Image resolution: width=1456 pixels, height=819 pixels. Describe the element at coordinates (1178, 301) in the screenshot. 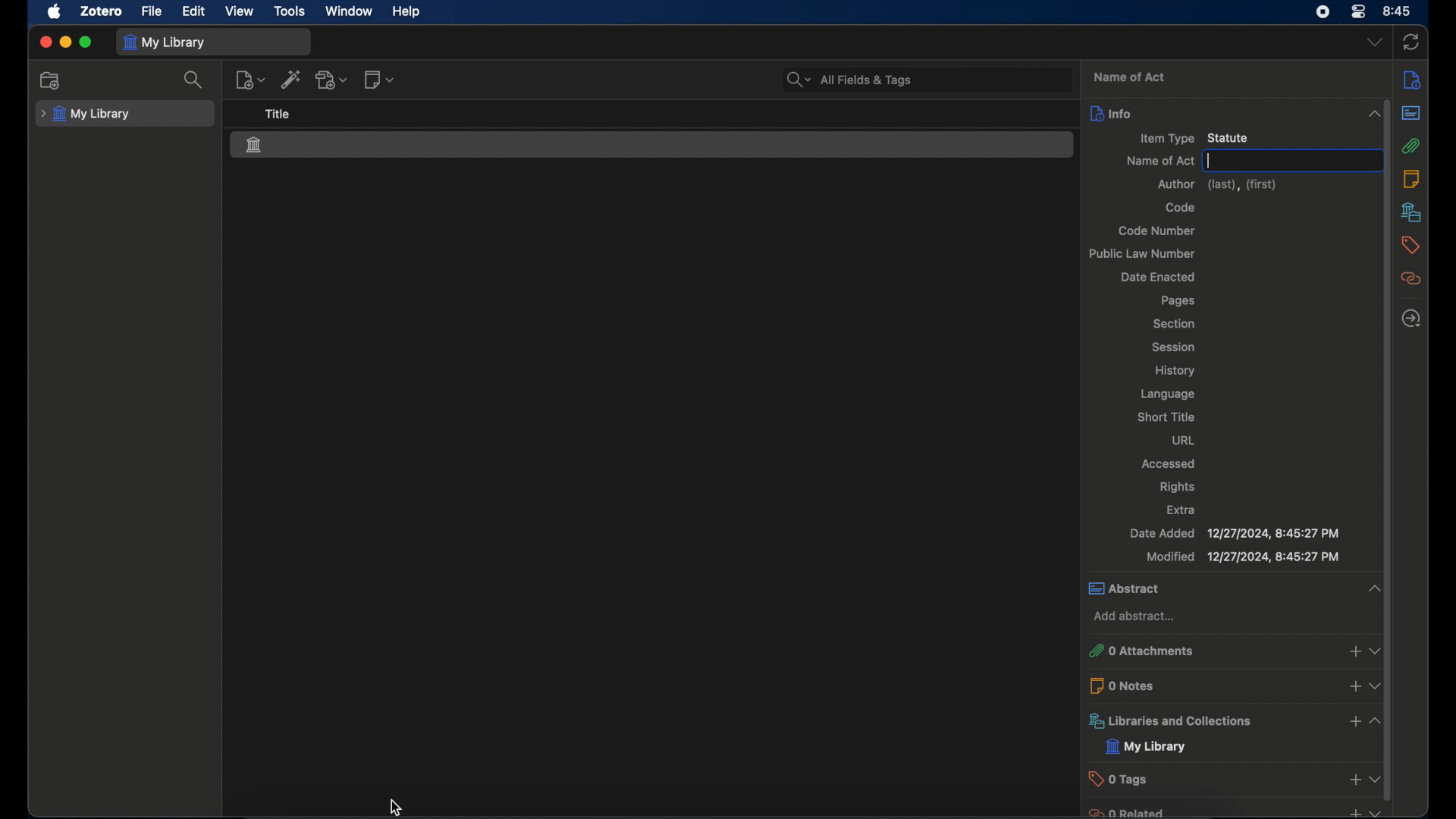

I see `pages` at that location.